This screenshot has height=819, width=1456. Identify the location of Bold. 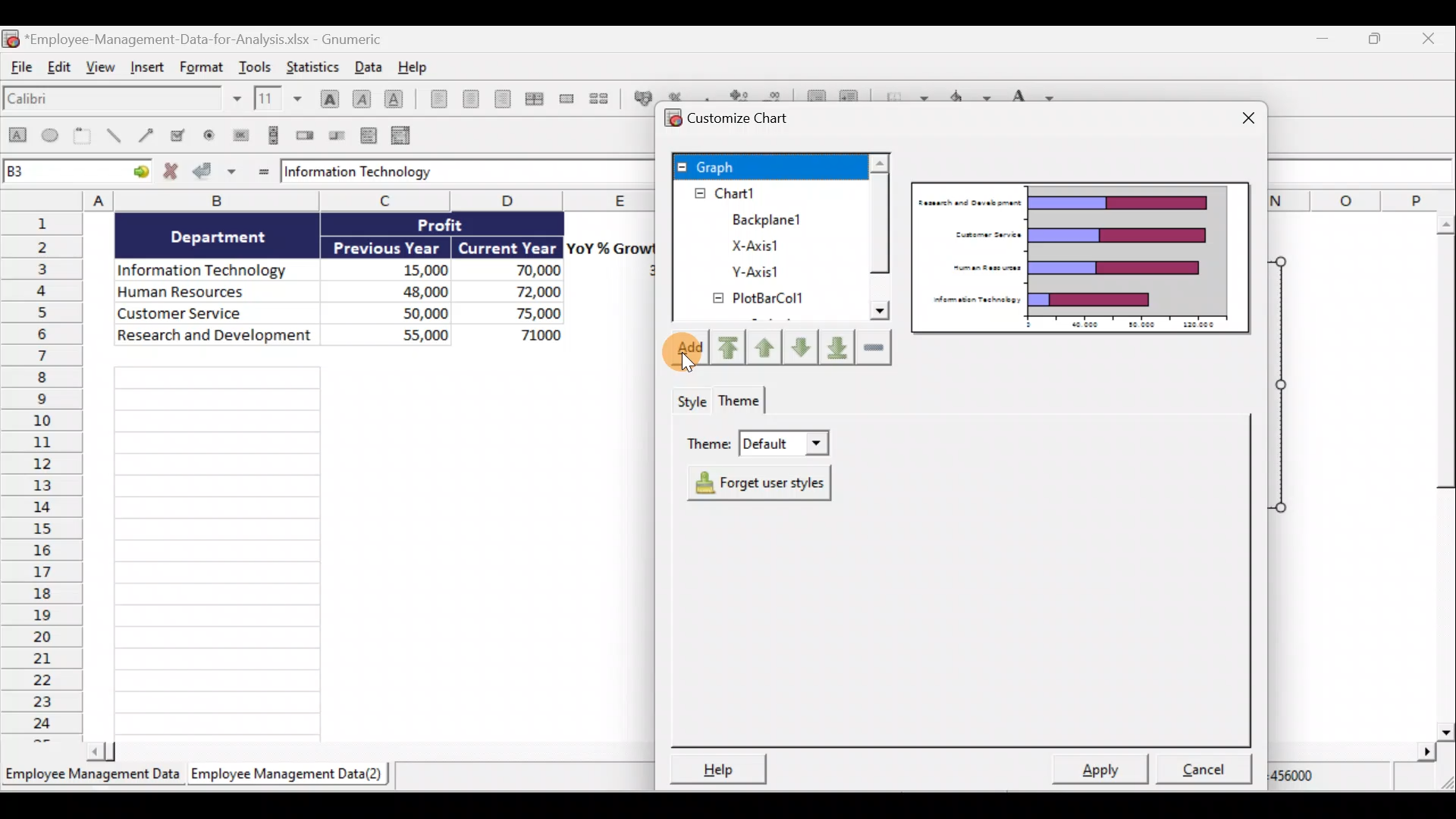
(327, 93).